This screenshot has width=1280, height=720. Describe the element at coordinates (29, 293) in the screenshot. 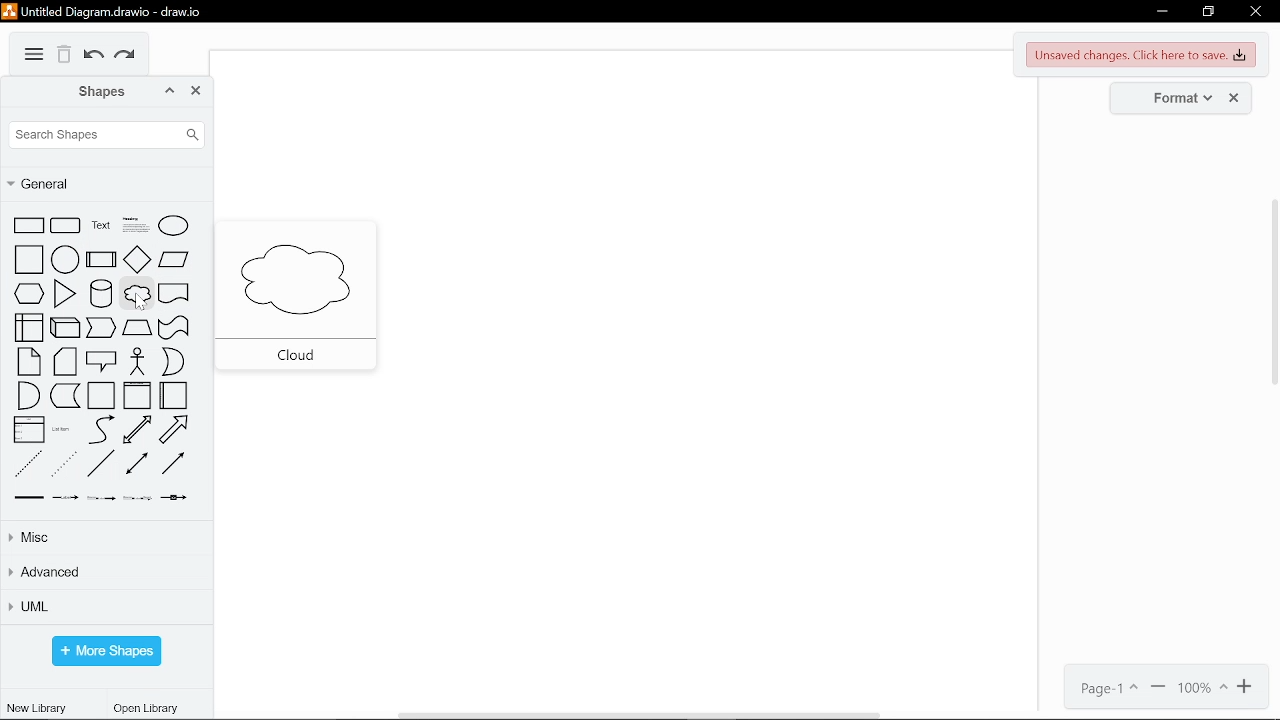

I see `hexagon` at that location.